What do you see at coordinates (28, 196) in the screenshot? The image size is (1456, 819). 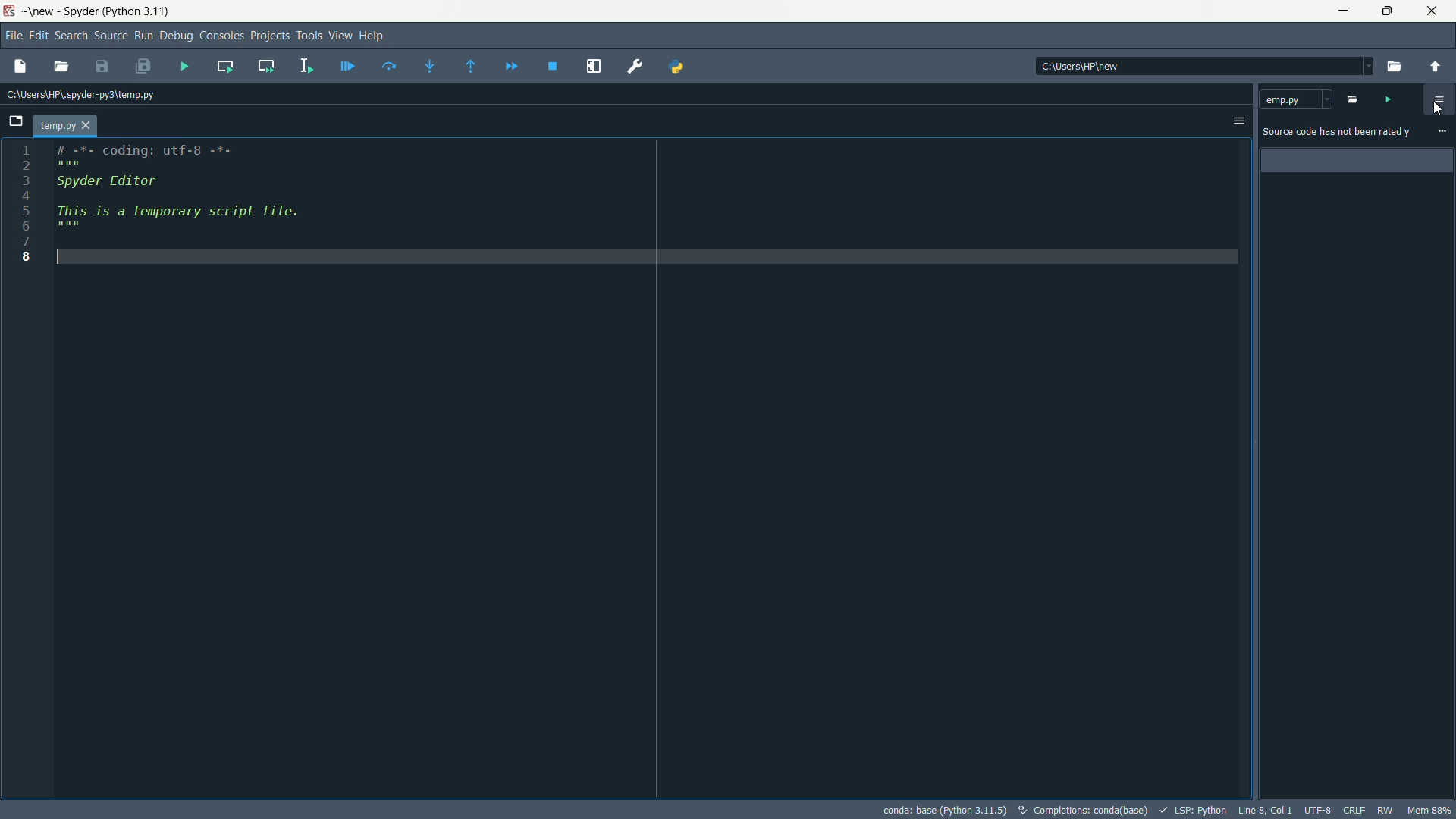 I see `4` at bounding box center [28, 196].